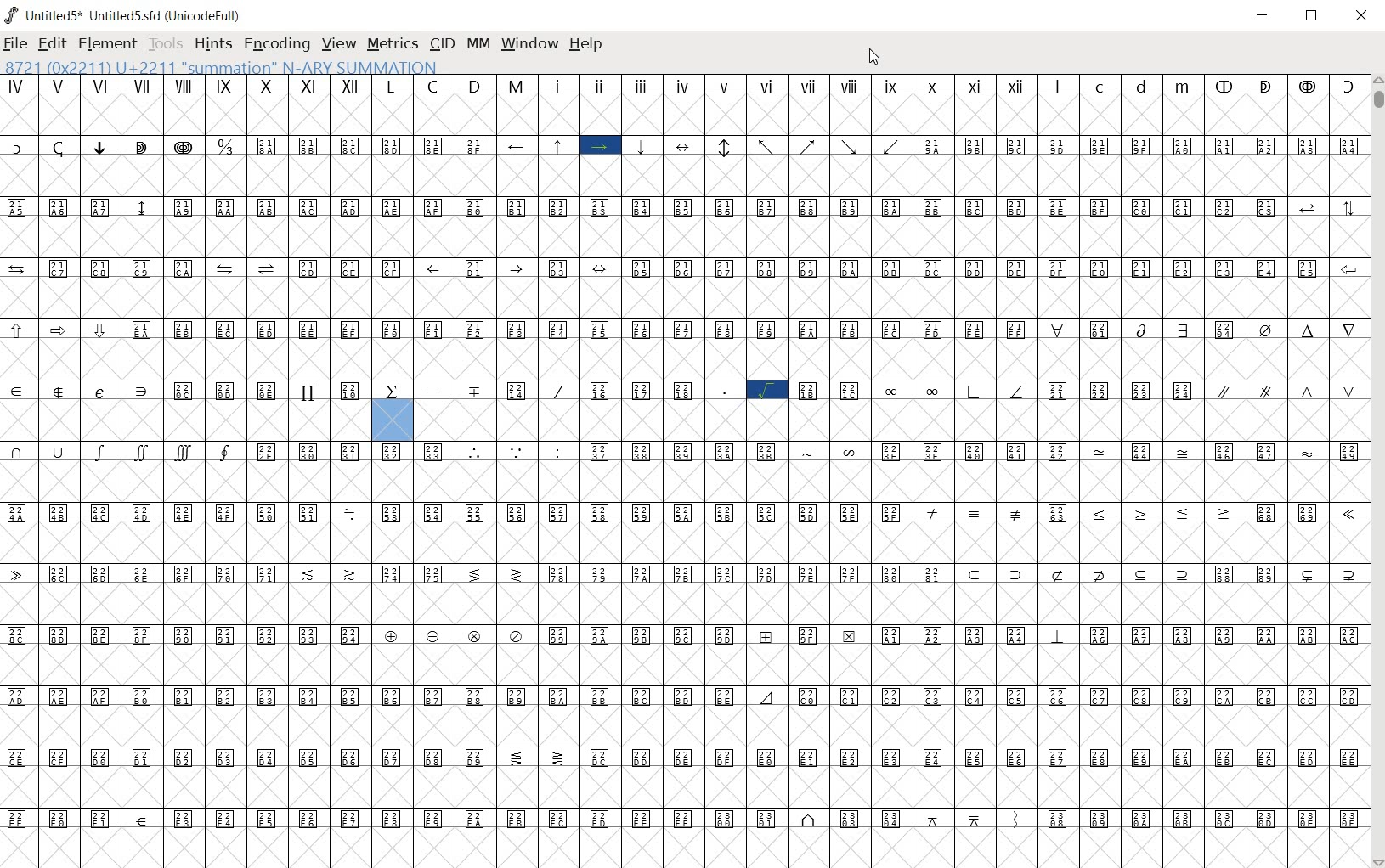 The height and width of the screenshot is (868, 1385). Describe the element at coordinates (275, 42) in the screenshot. I see `ENCODING` at that location.